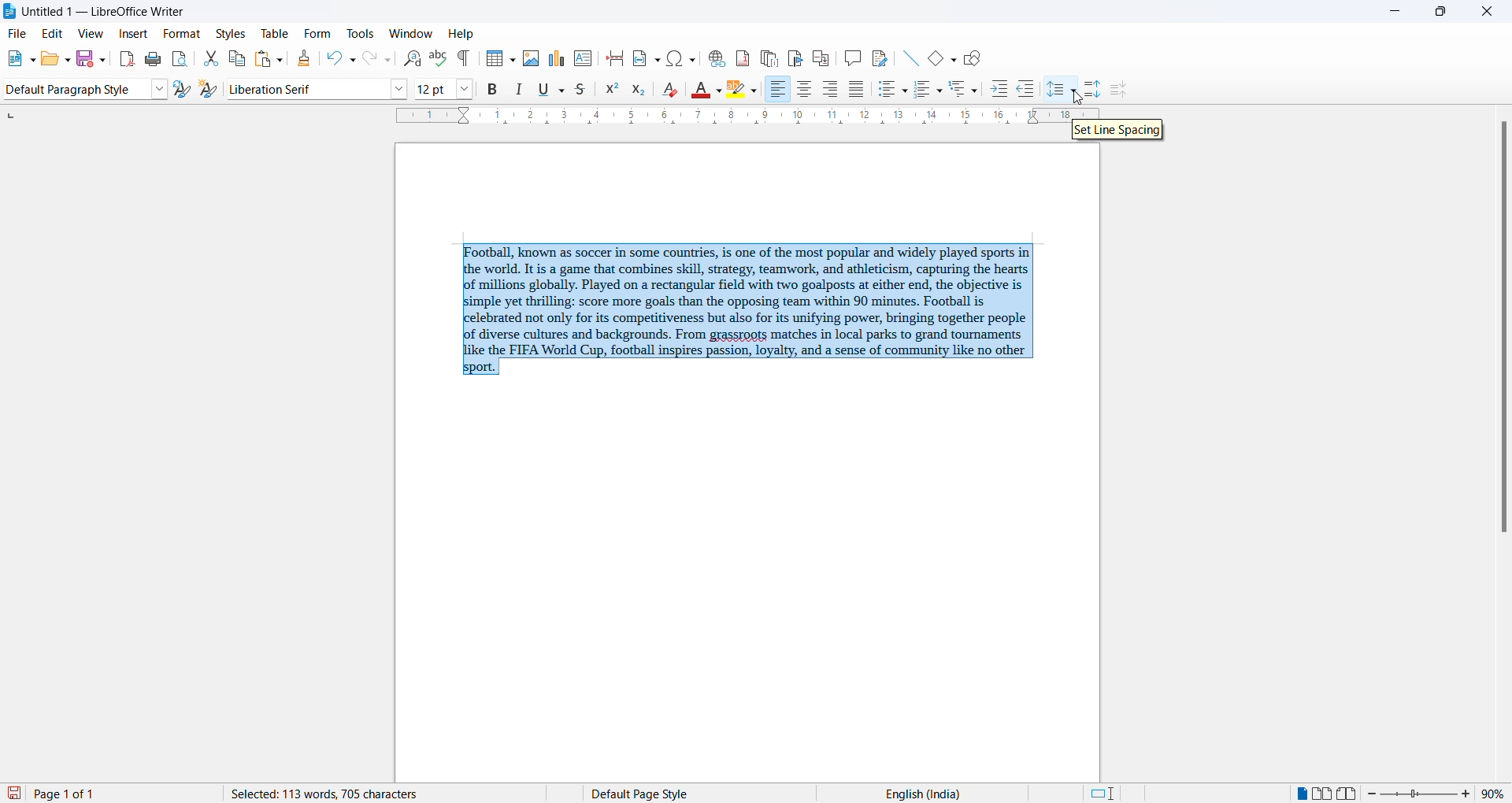  I want to click on justified, so click(857, 89).